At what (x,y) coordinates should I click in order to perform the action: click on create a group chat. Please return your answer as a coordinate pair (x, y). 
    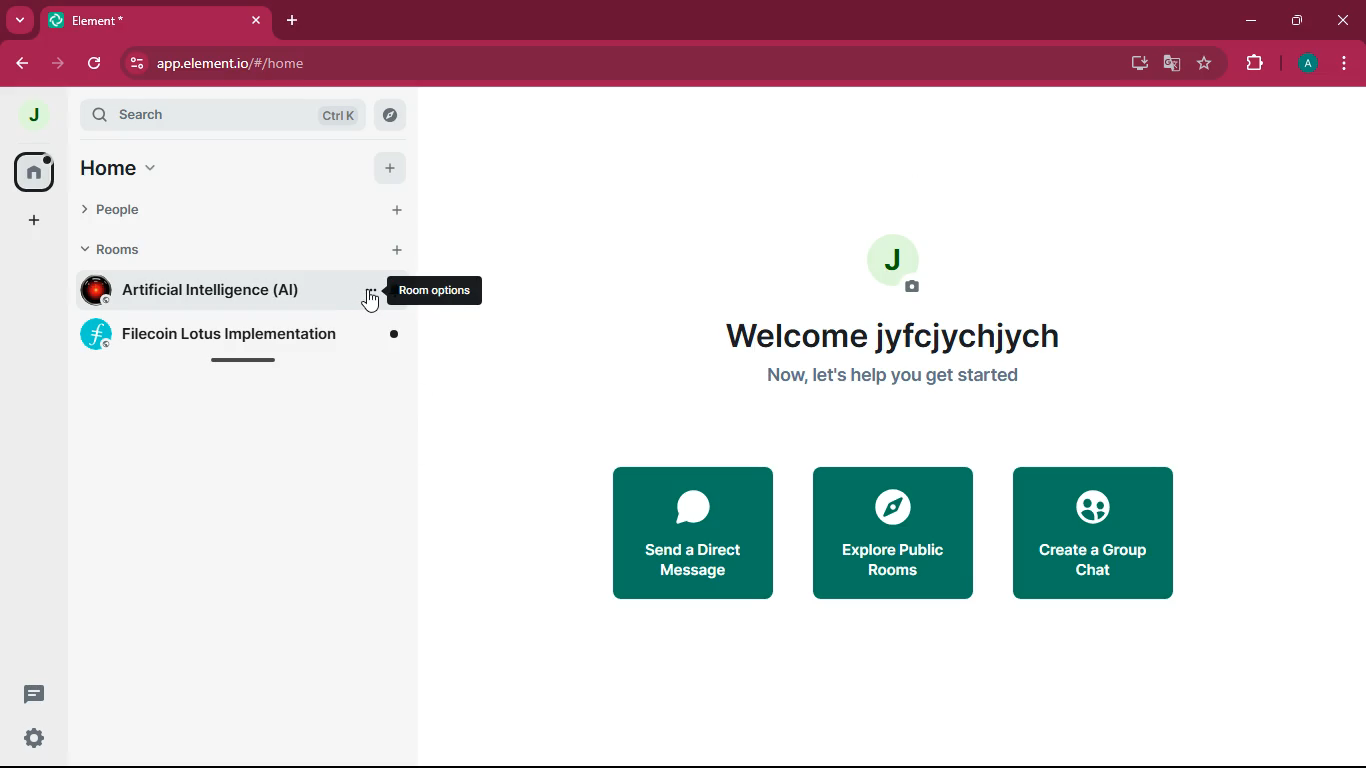
    Looking at the image, I should click on (1098, 531).